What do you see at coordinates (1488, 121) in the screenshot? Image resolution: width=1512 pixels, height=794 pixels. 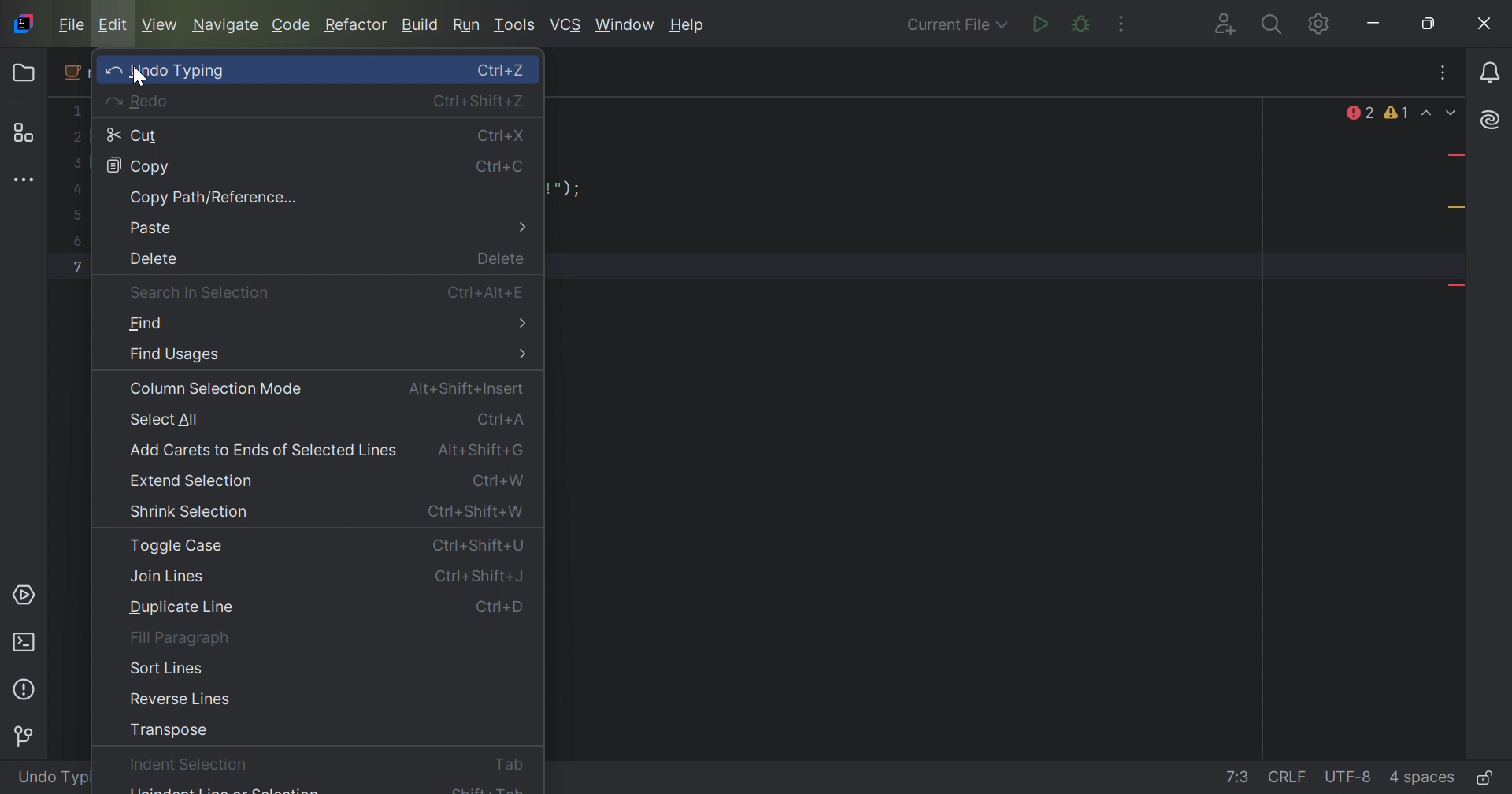 I see `AI Assistant` at bounding box center [1488, 121].